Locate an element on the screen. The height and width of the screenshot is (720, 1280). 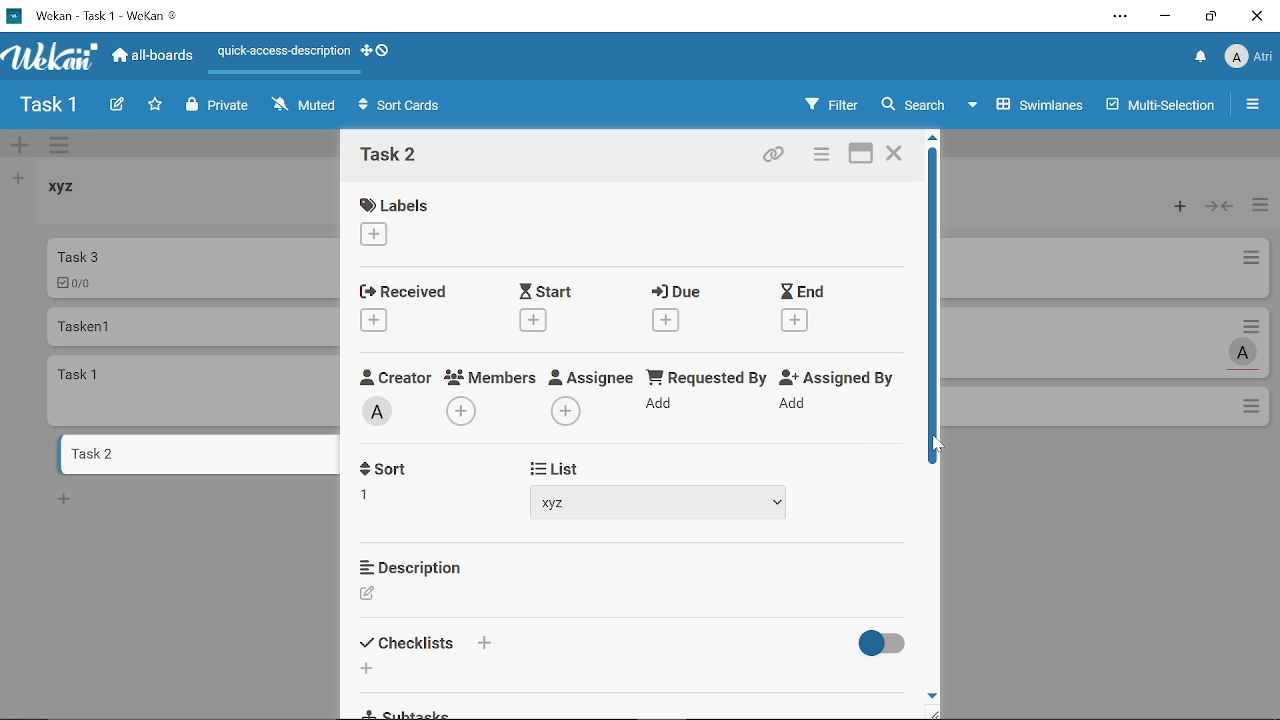
Subtasks is located at coordinates (408, 715).